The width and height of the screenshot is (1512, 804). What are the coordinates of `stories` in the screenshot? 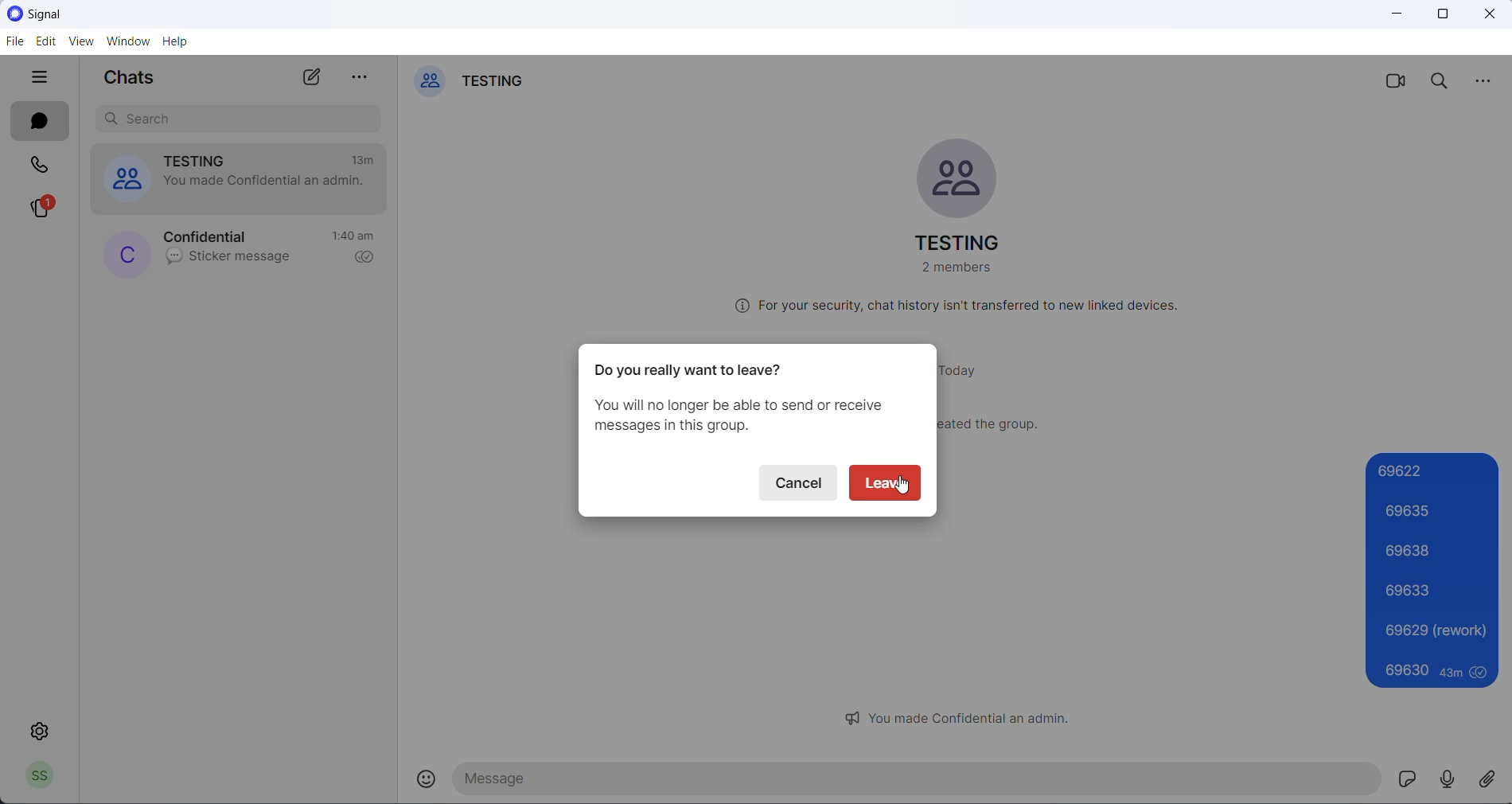 It's located at (44, 209).